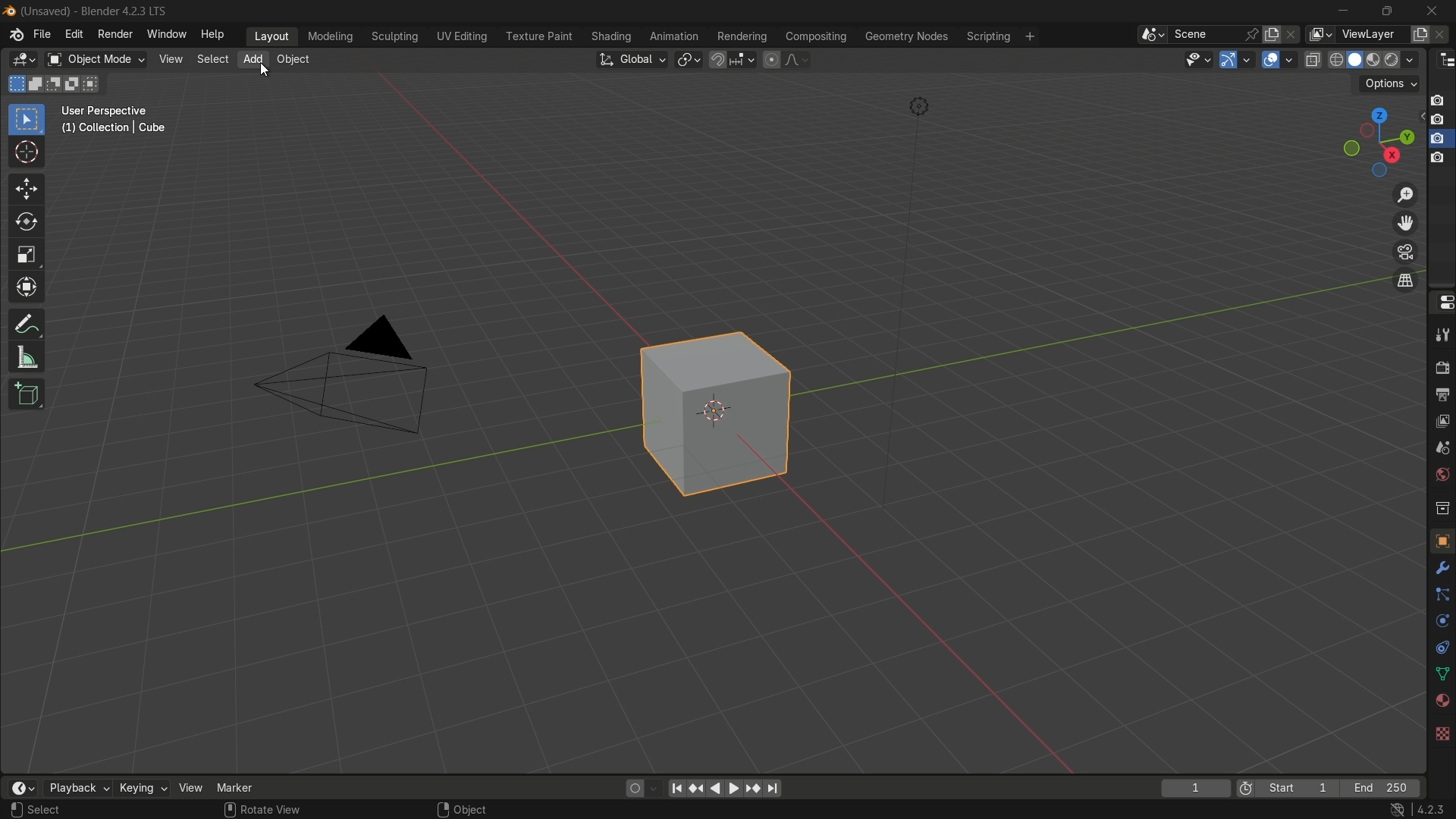  What do you see at coordinates (293, 59) in the screenshot?
I see `object` at bounding box center [293, 59].